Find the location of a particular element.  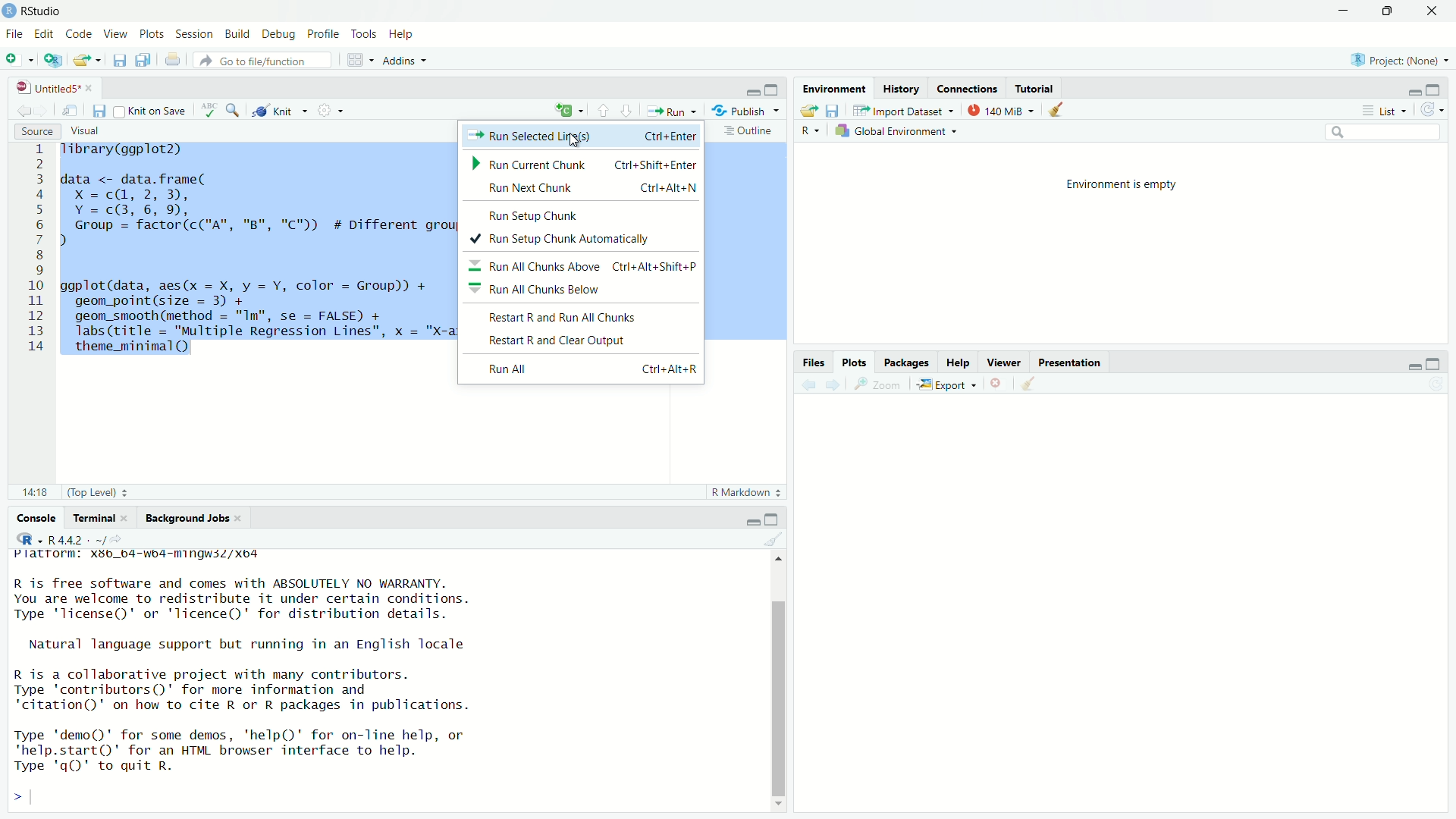

> Run Selected Lirfs(s) Ctrl+Enter is located at coordinates (580, 135).